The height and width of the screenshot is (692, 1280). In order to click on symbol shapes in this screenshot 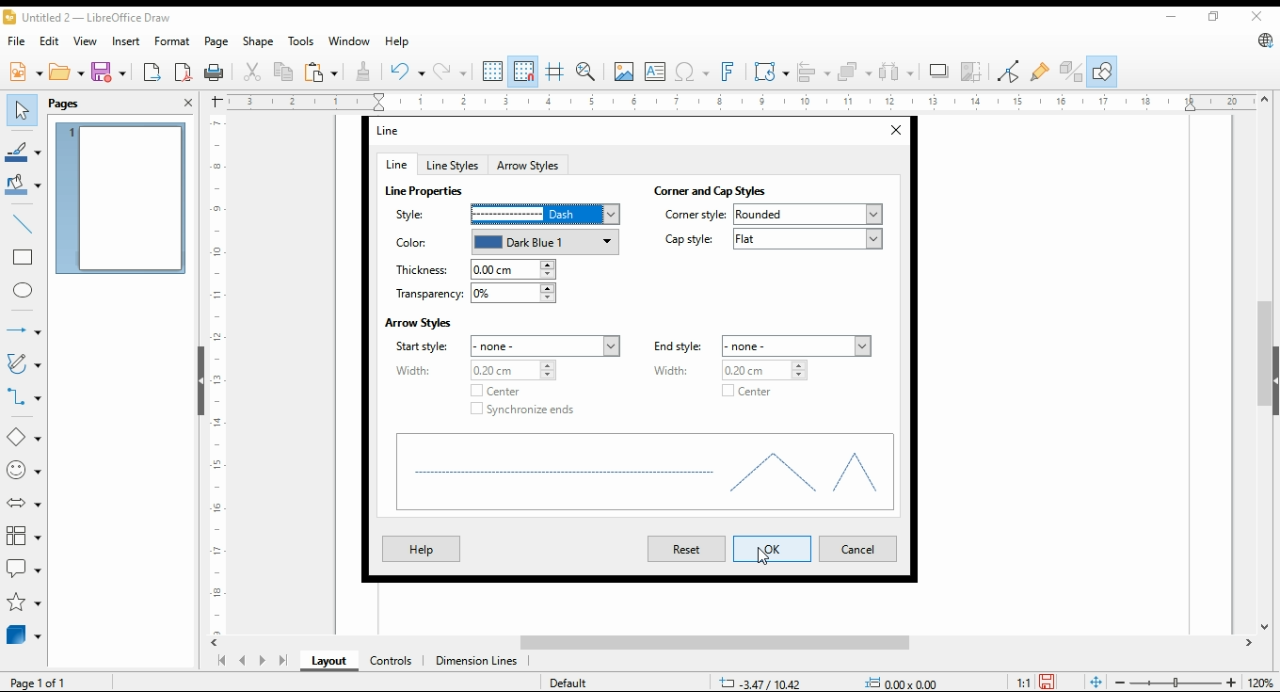, I will do `click(25, 469)`.